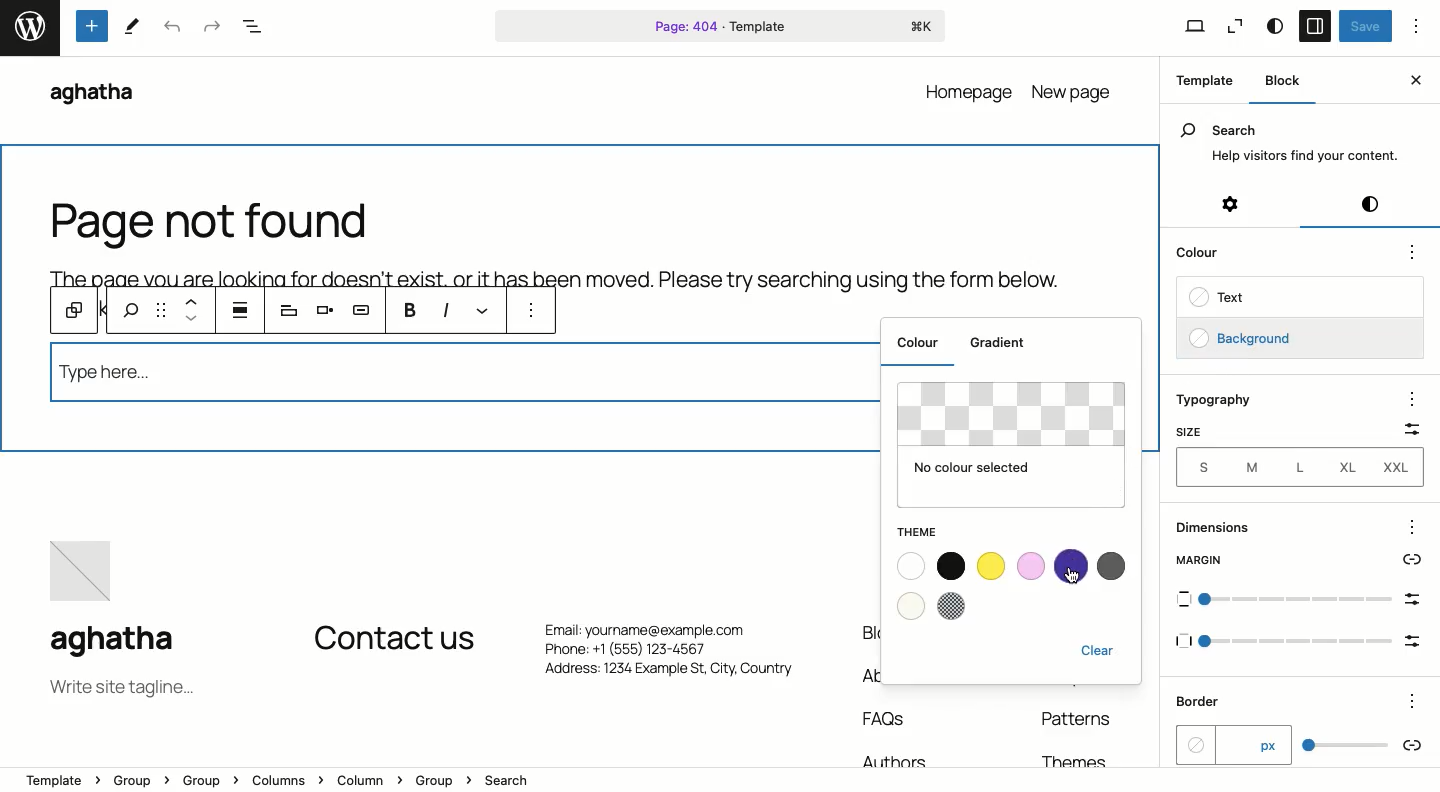 The height and width of the screenshot is (792, 1440). What do you see at coordinates (1201, 256) in the screenshot?
I see `Color` at bounding box center [1201, 256].